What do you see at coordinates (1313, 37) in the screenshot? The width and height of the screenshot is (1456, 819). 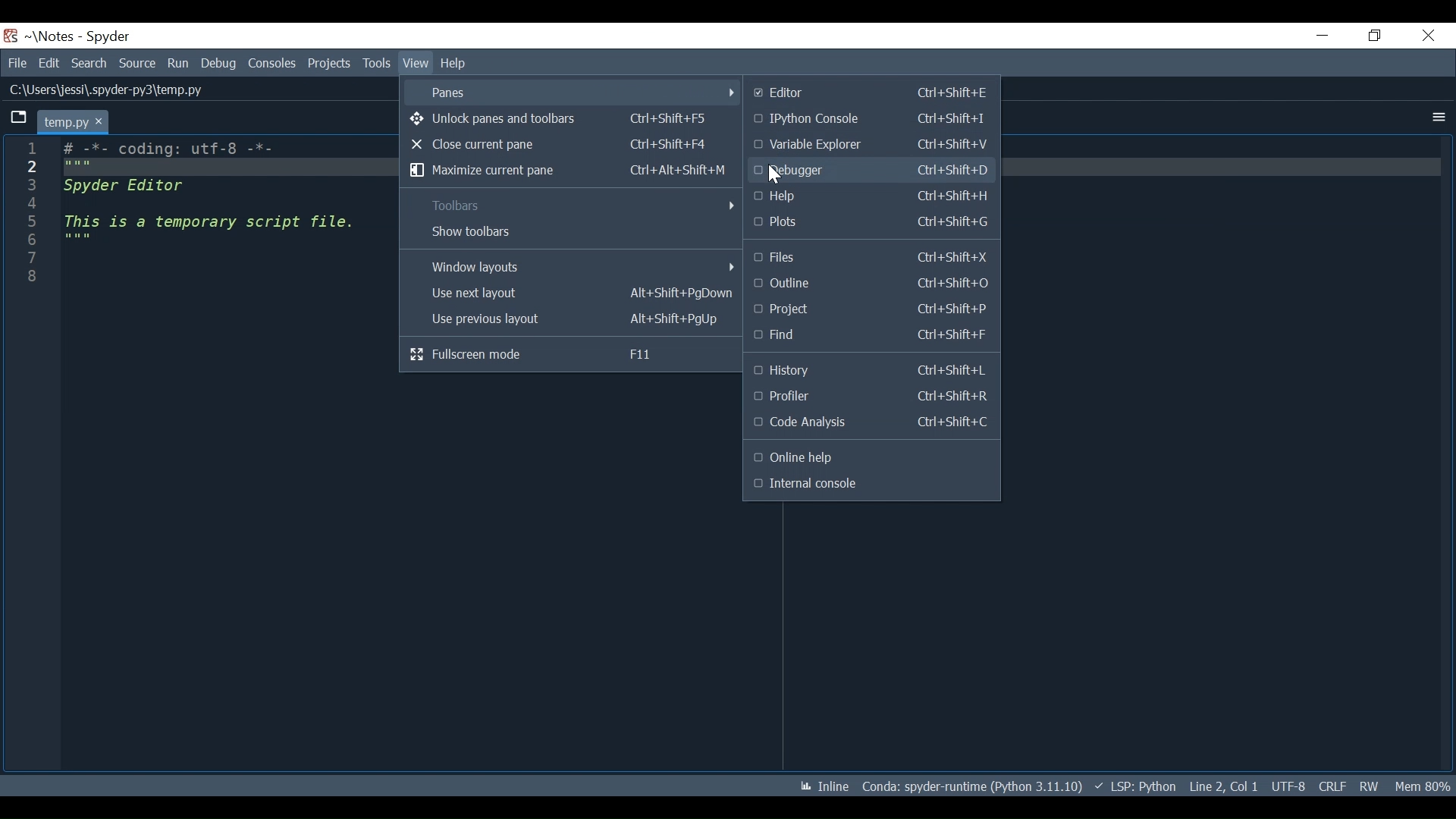 I see `Minimize` at bounding box center [1313, 37].